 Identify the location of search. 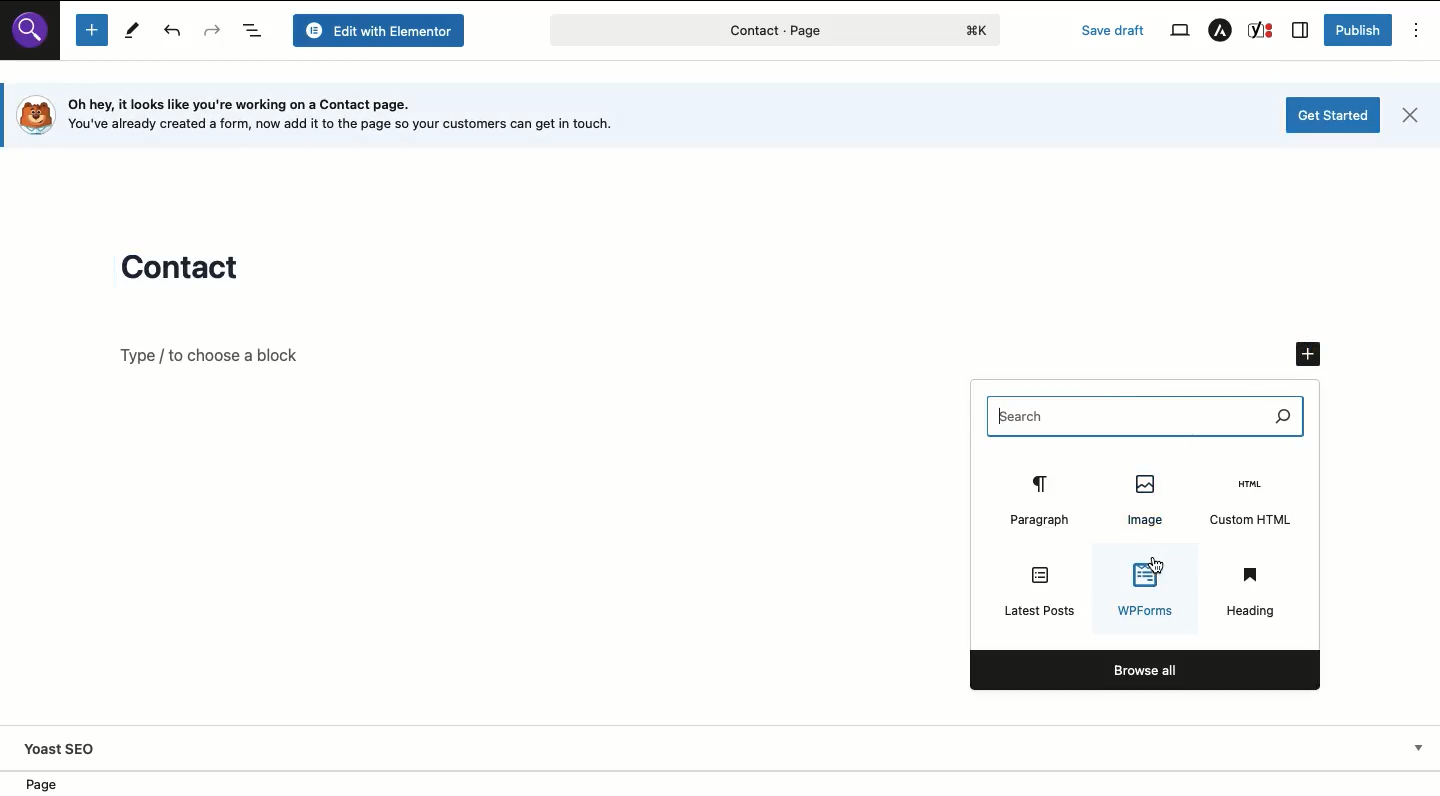
(36, 38).